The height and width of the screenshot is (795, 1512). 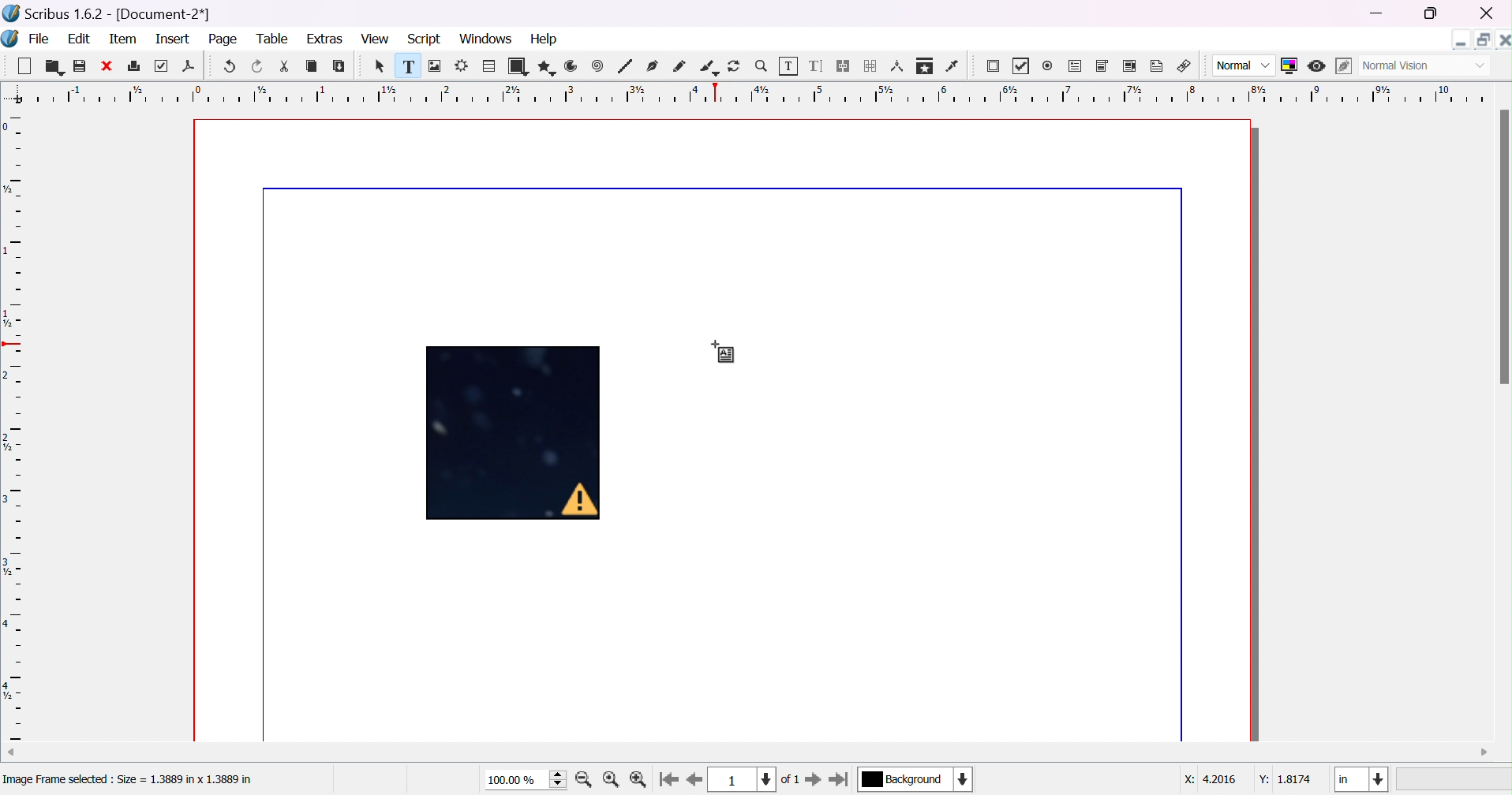 What do you see at coordinates (1076, 66) in the screenshot?
I see `PDF text field` at bounding box center [1076, 66].